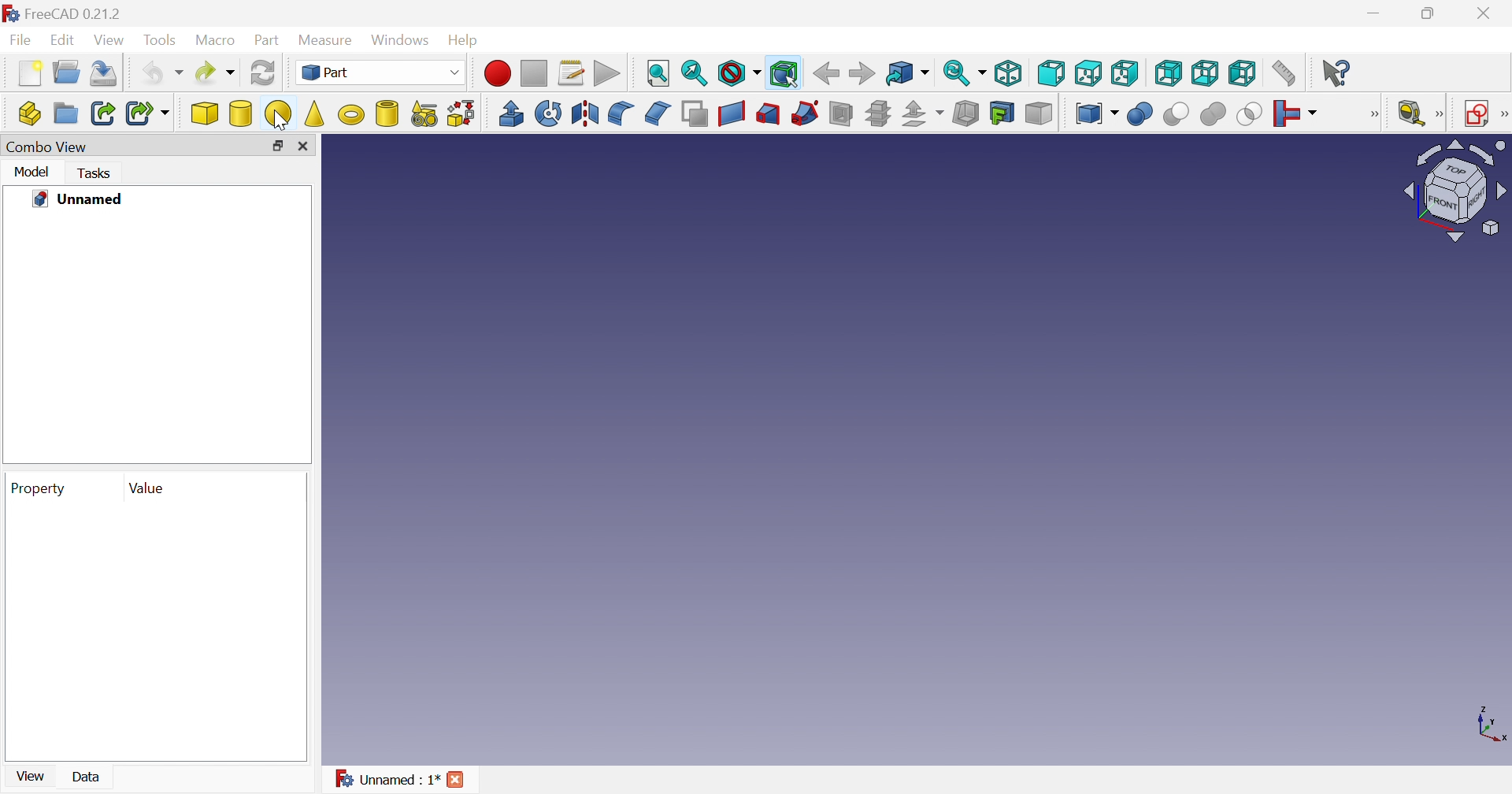 This screenshot has width=1512, height=794. Describe the element at coordinates (584, 113) in the screenshot. I see `Mirroring...` at that location.